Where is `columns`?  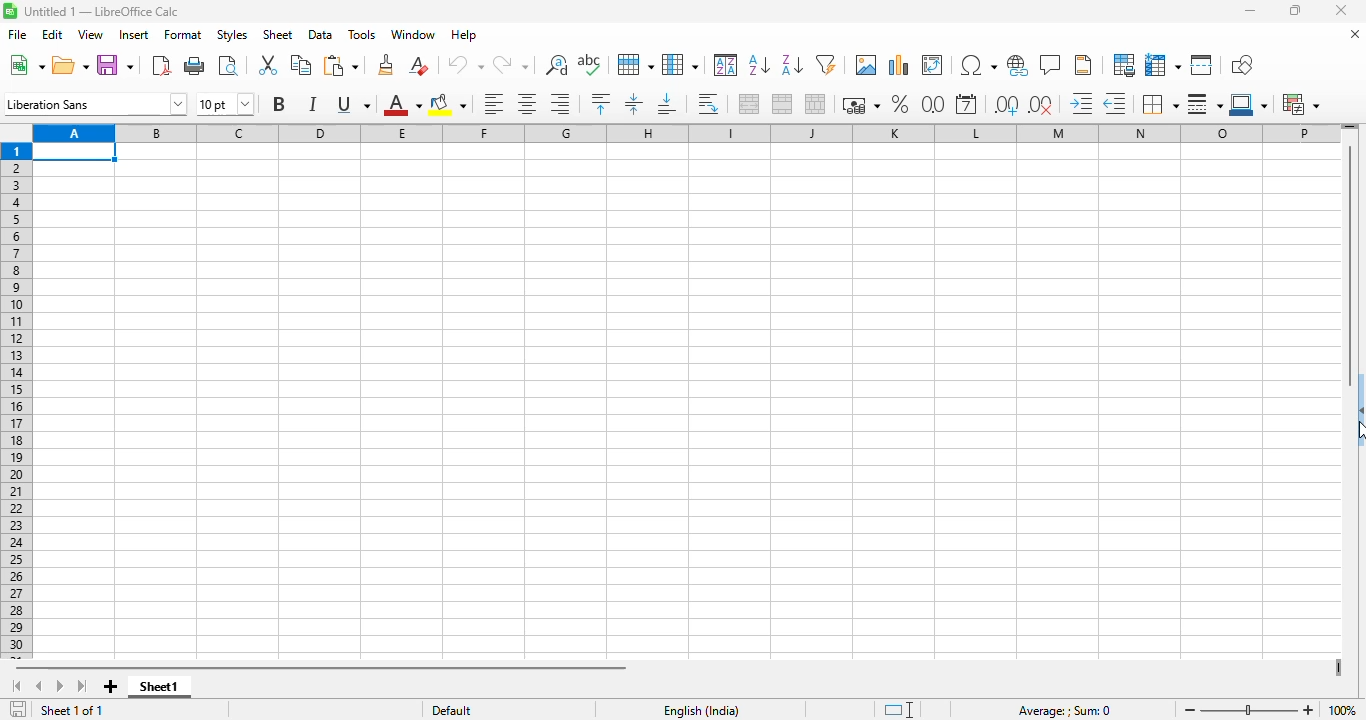
columns is located at coordinates (686, 133).